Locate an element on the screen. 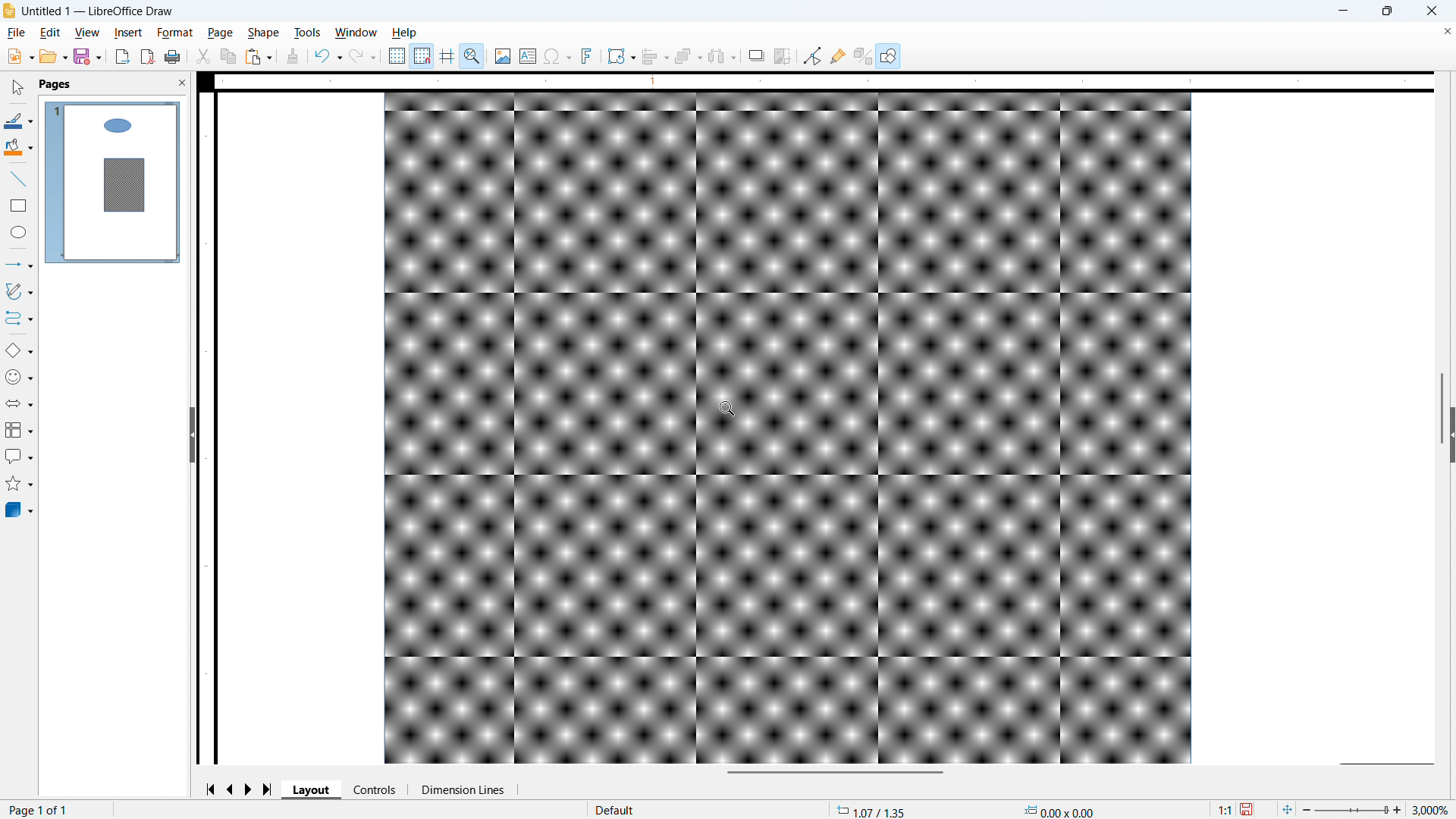 The width and height of the screenshot is (1456, 819). Arrange  is located at coordinates (688, 57).